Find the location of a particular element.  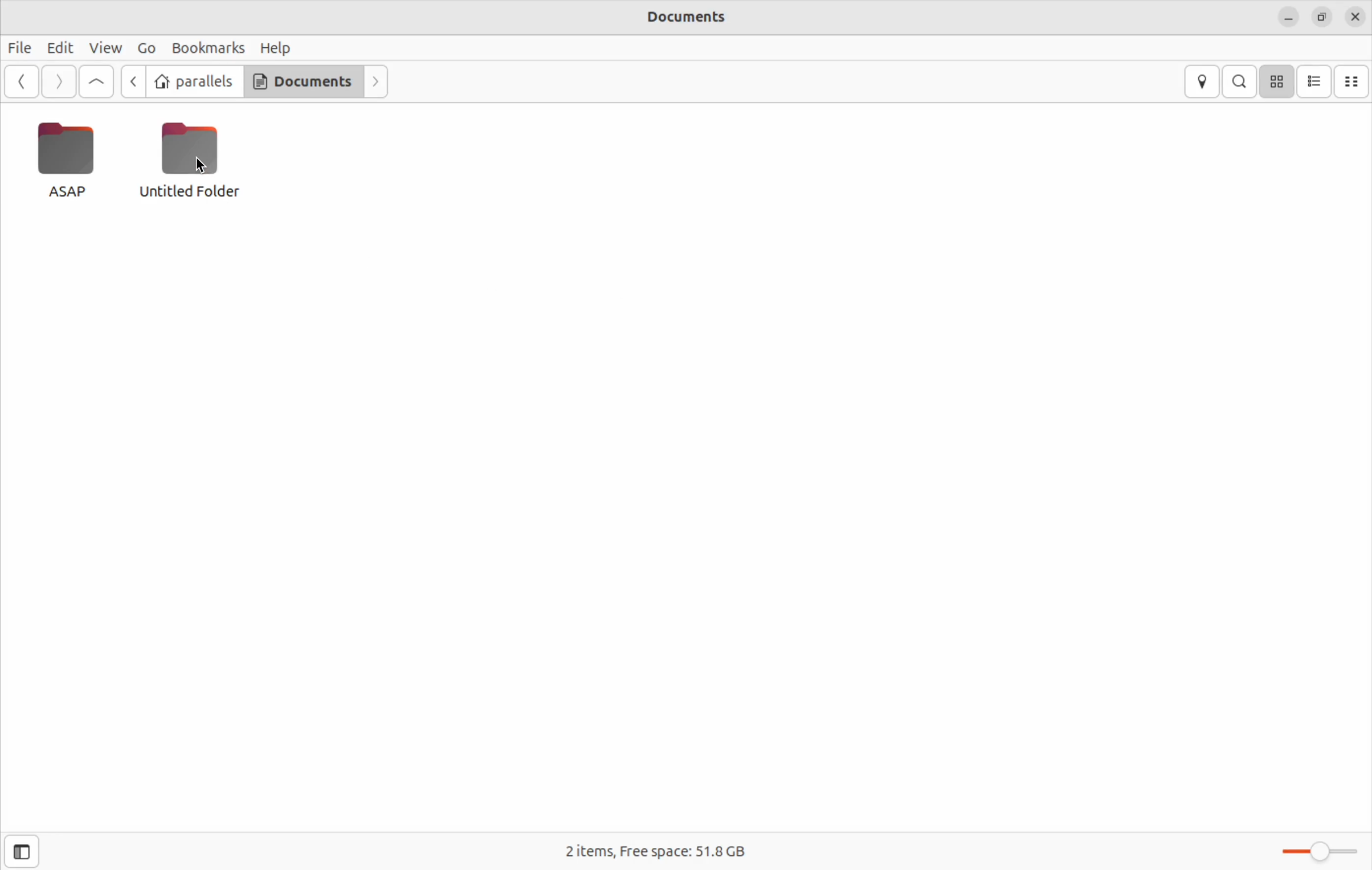

View is located at coordinates (106, 48).